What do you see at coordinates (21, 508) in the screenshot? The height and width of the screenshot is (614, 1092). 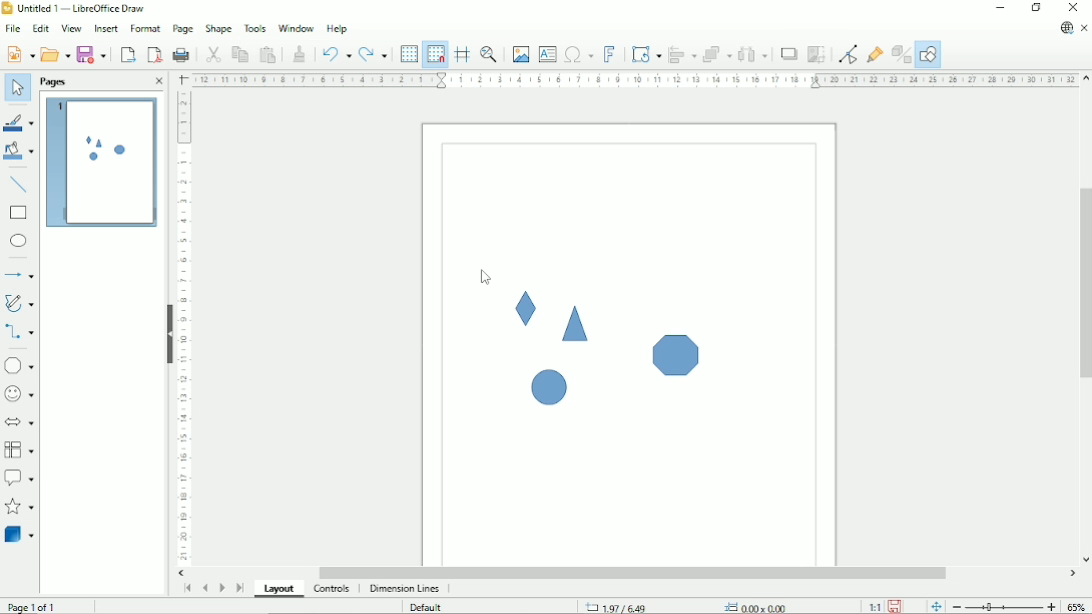 I see `Stars and banners` at bounding box center [21, 508].